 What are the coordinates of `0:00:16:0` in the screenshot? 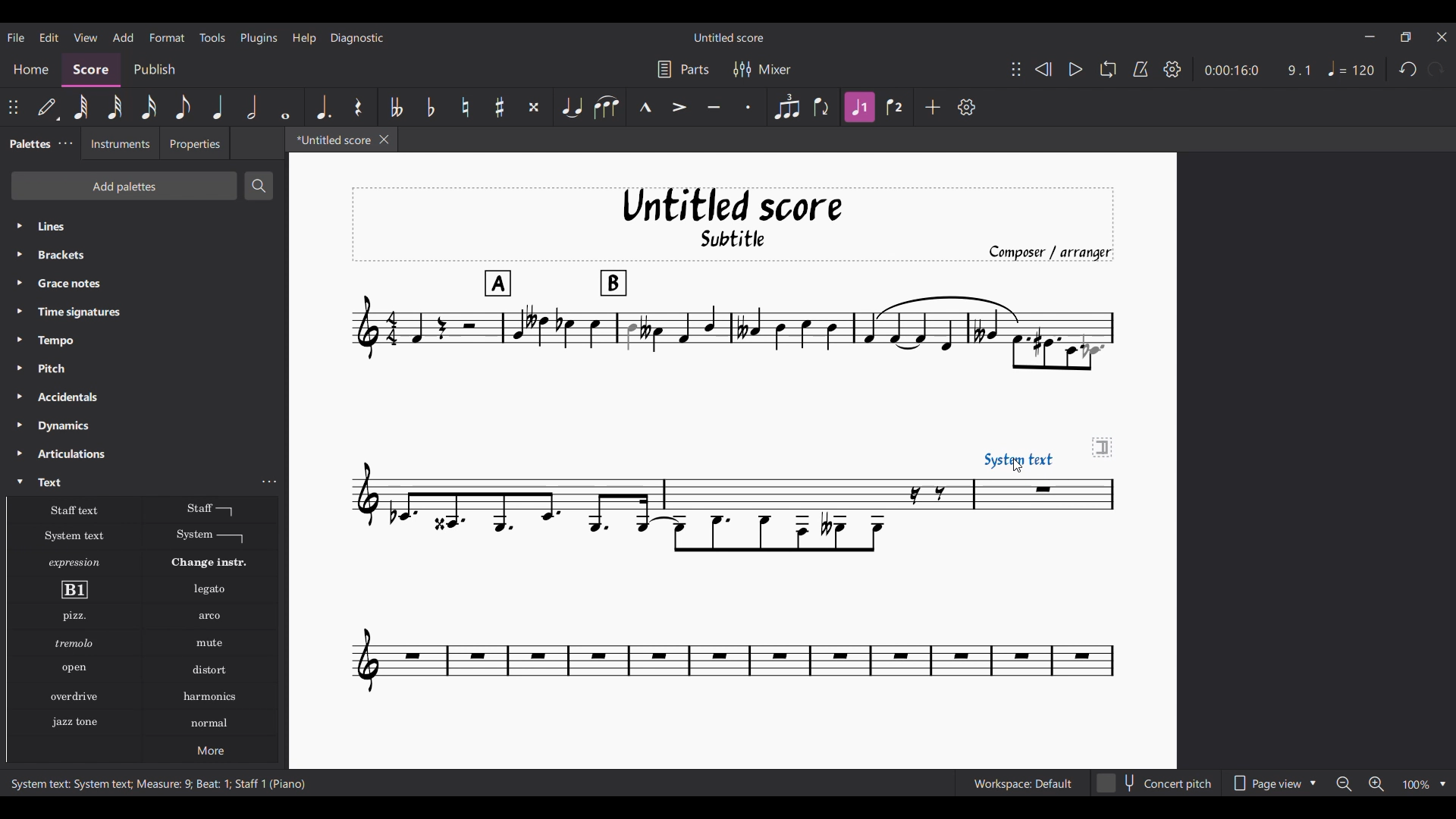 It's located at (1232, 71).